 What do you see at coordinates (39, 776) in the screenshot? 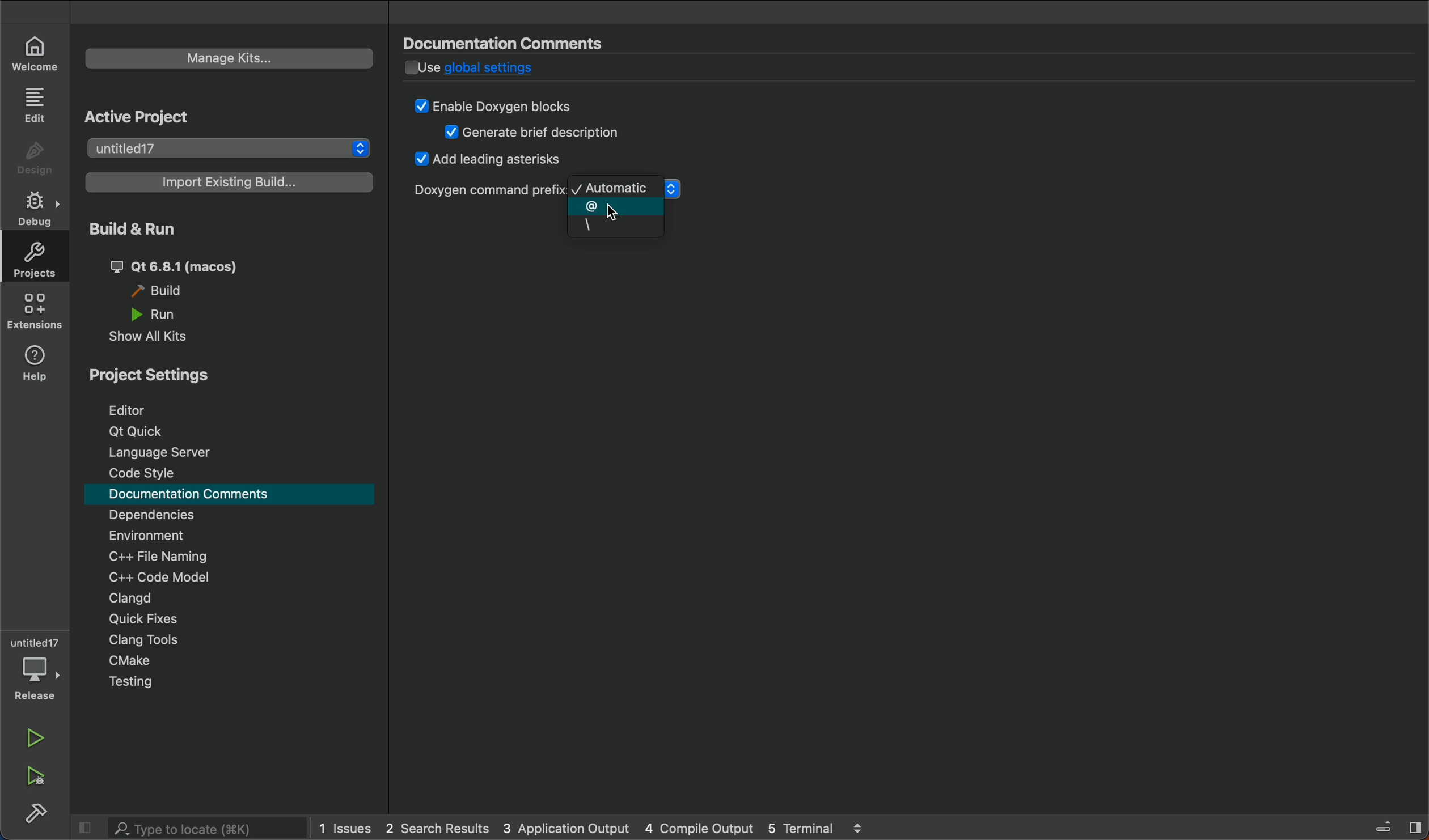
I see `run and build` at bounding box center [39, 776].